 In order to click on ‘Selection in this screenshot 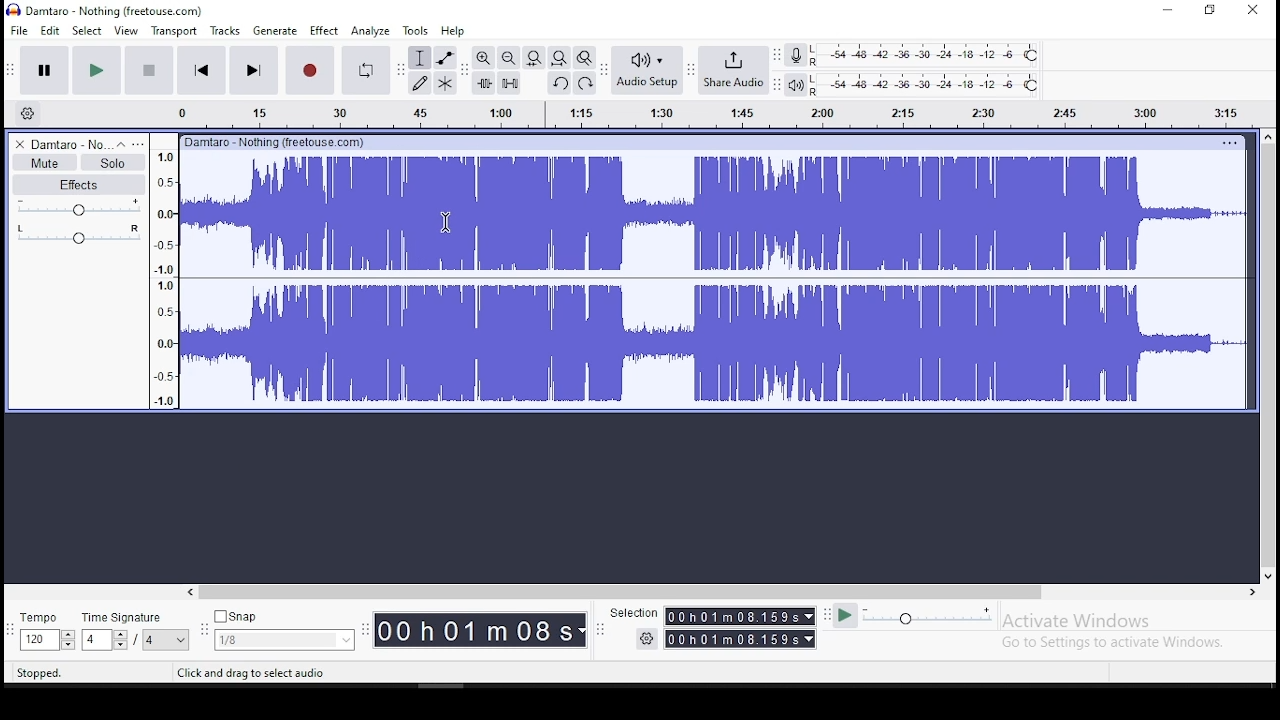, I will do `click(632, 614)`.